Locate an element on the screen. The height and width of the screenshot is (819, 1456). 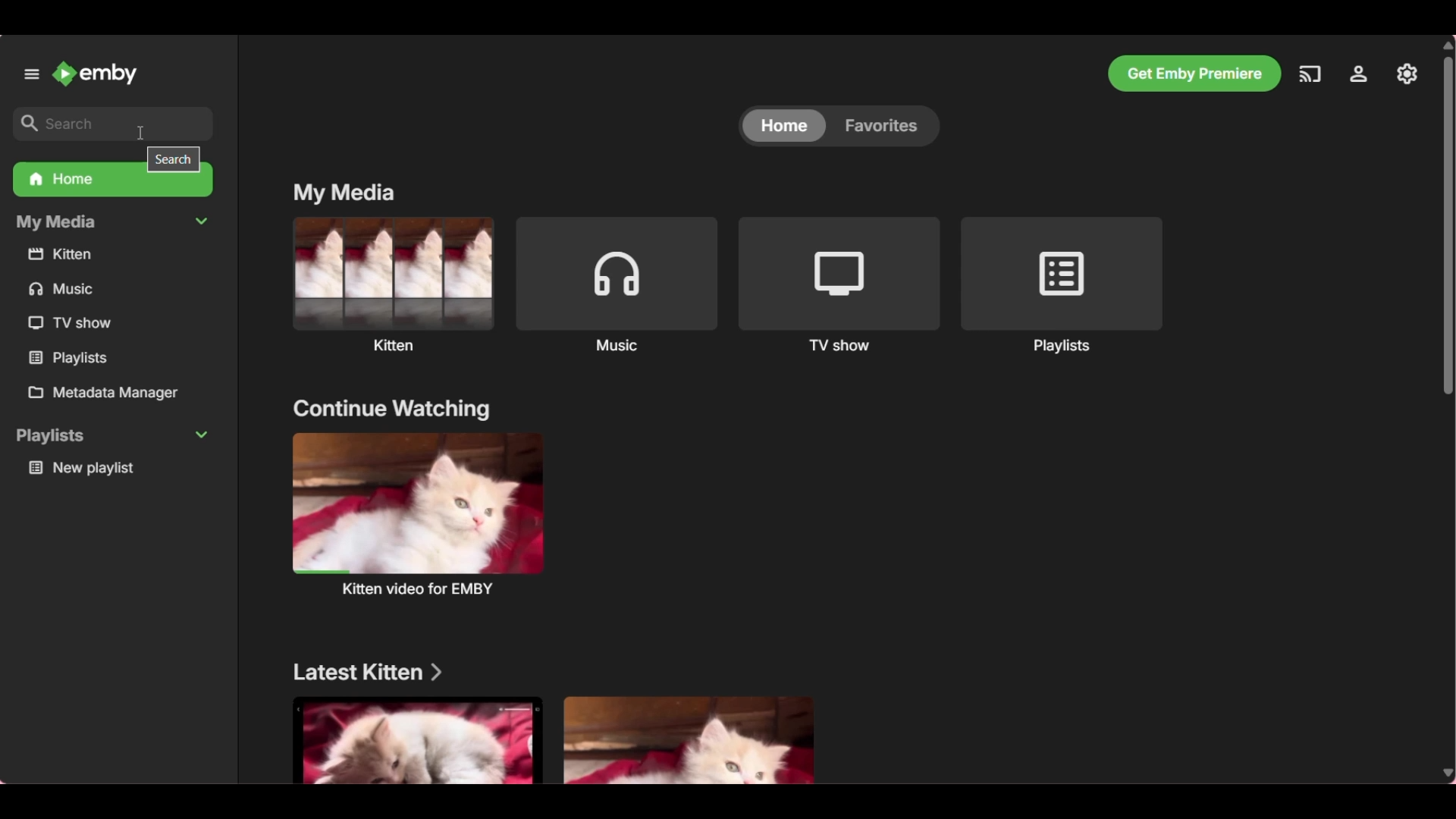
Kitten  is located at coordinates (393, 283).